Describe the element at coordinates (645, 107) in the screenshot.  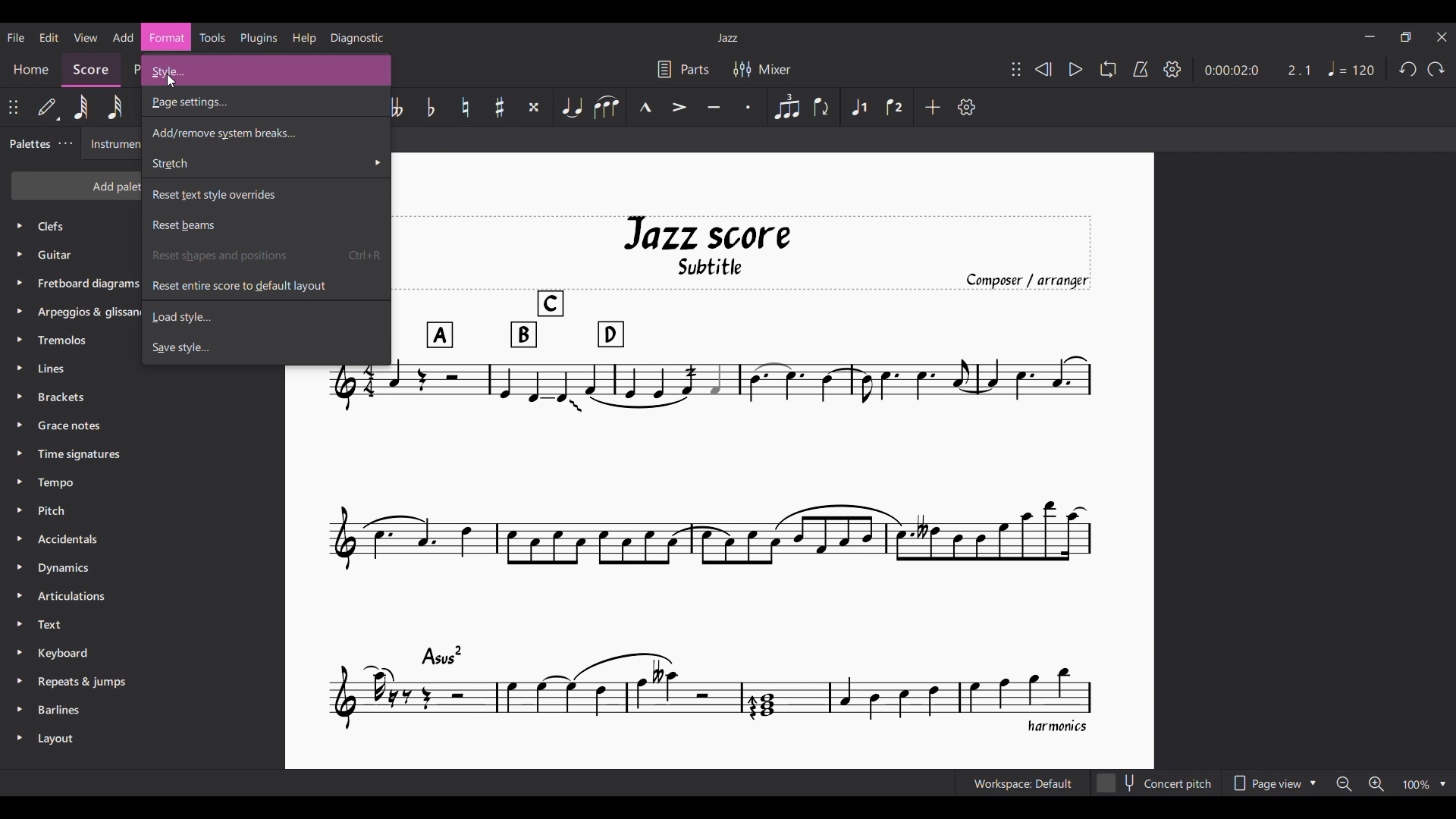
I see `Marcato` at that location.